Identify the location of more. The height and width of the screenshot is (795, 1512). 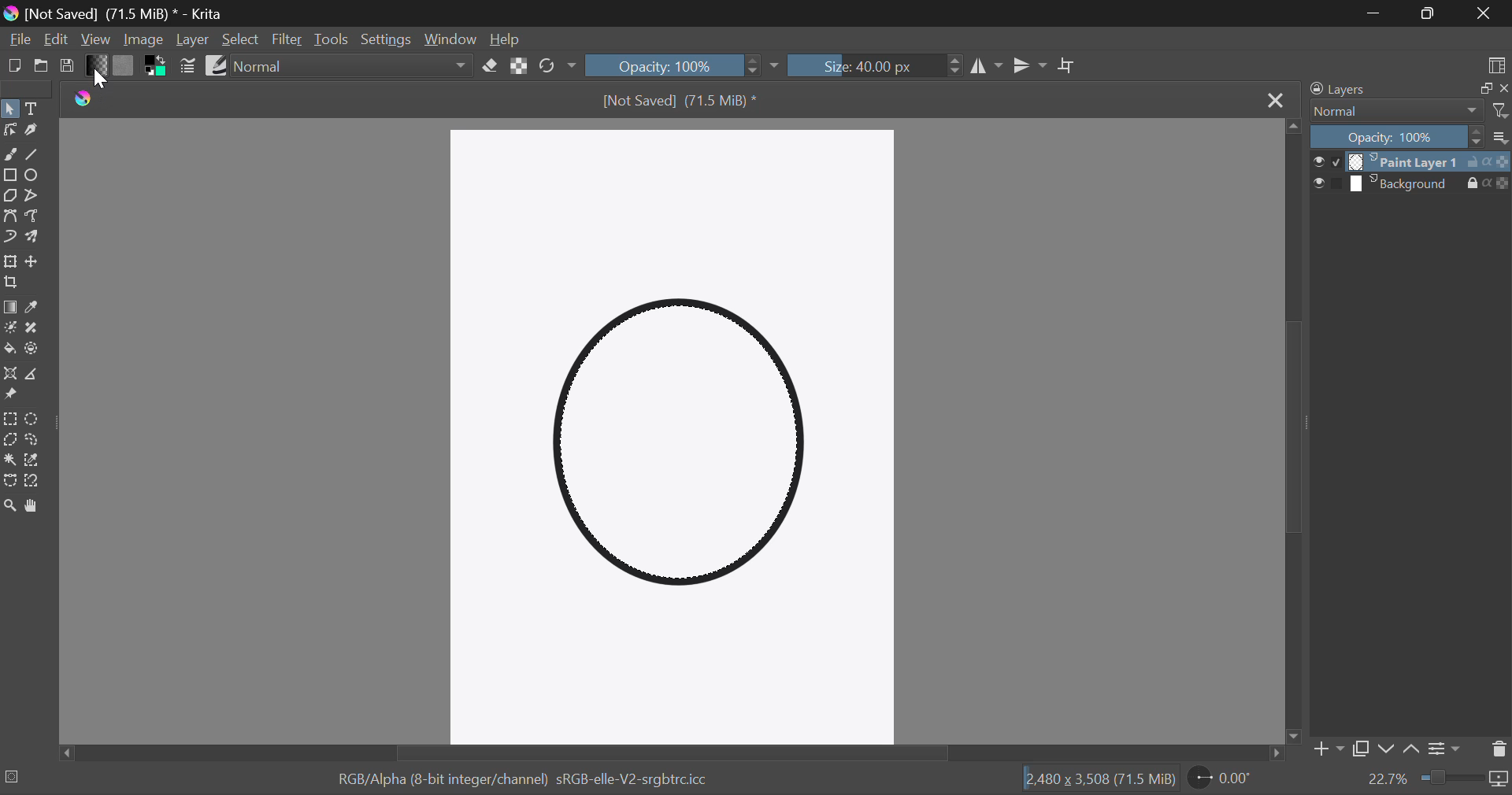
(1500, 138).